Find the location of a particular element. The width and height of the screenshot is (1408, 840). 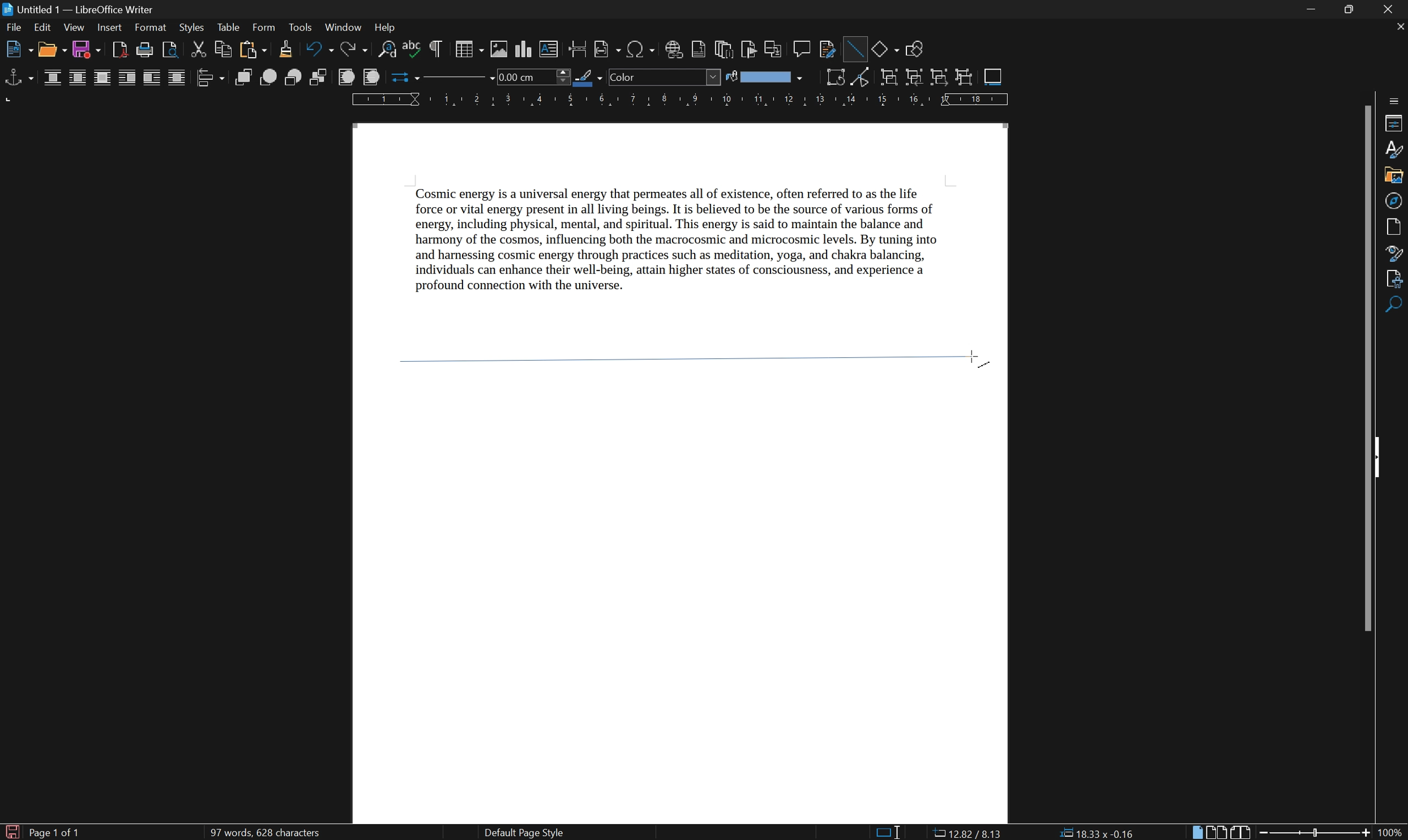

bring to front is located at coordinates (245, 78).